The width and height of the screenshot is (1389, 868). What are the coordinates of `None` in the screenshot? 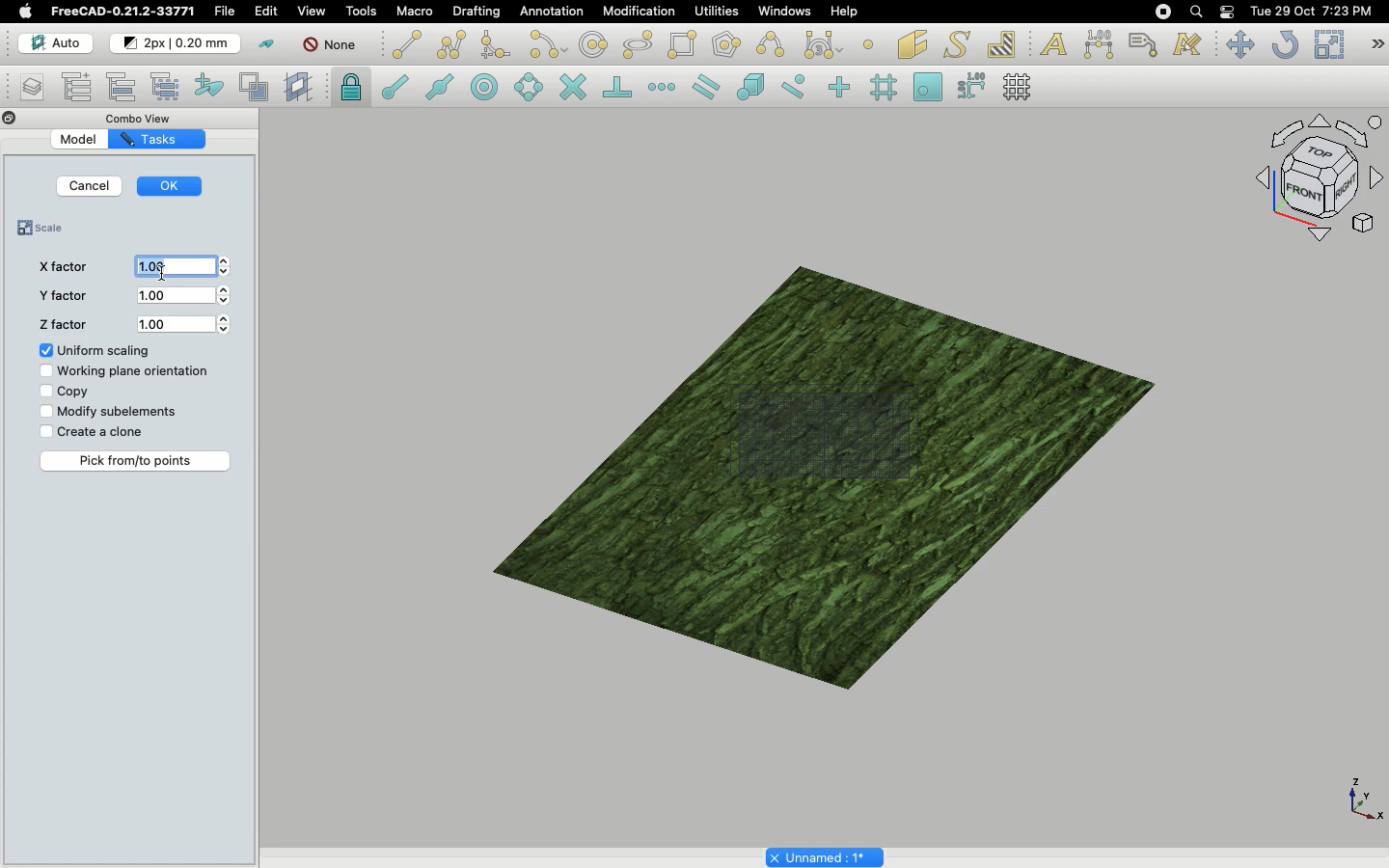 It's located at (329, 46).